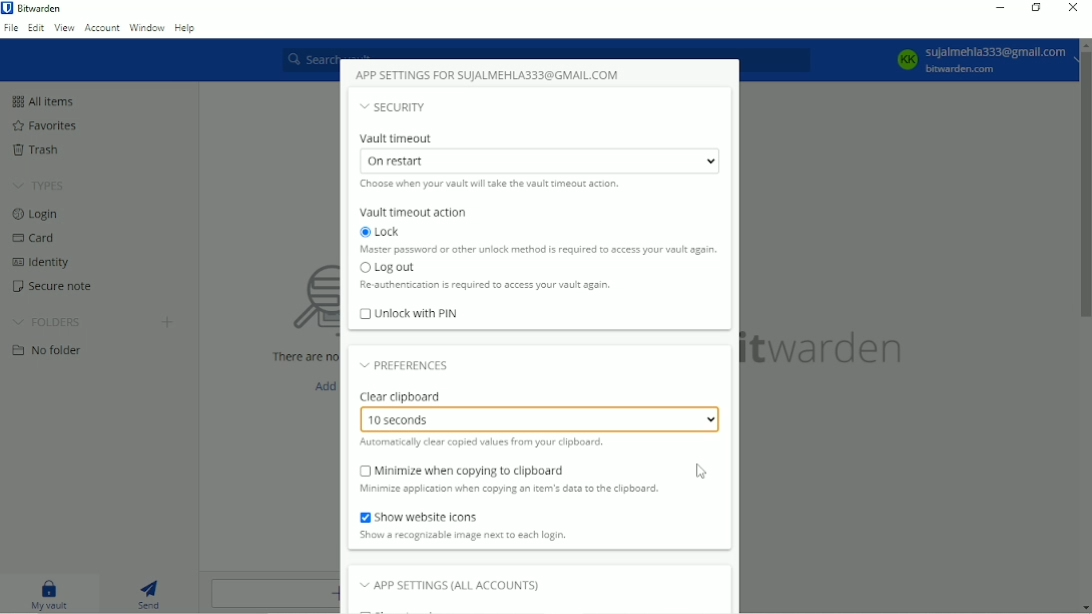  Describe the element at coordinates (147, 27) in the screenshot. I see `Window` at that location.